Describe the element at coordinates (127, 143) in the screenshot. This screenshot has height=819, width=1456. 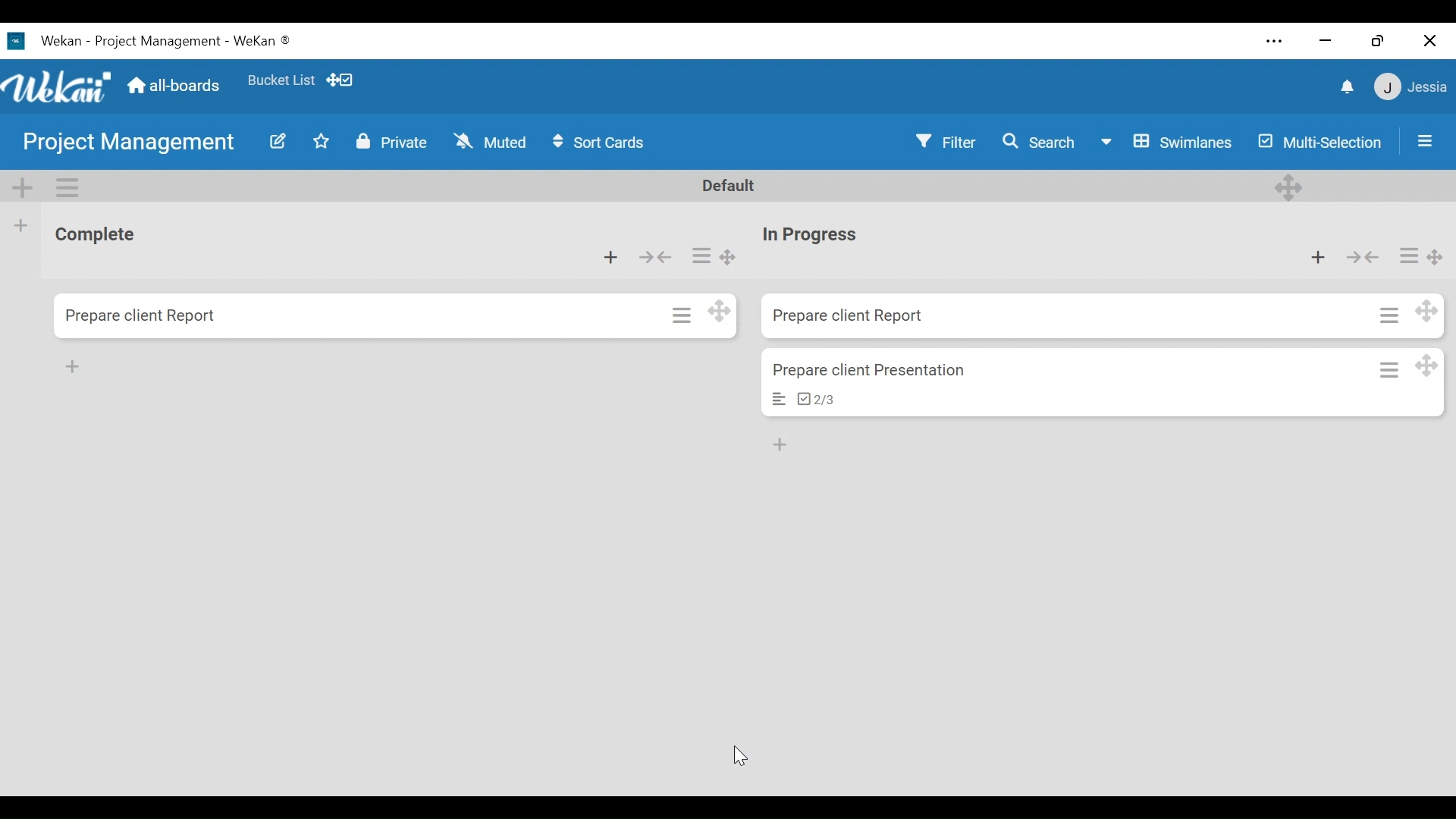
I see `Board Title` at that location.